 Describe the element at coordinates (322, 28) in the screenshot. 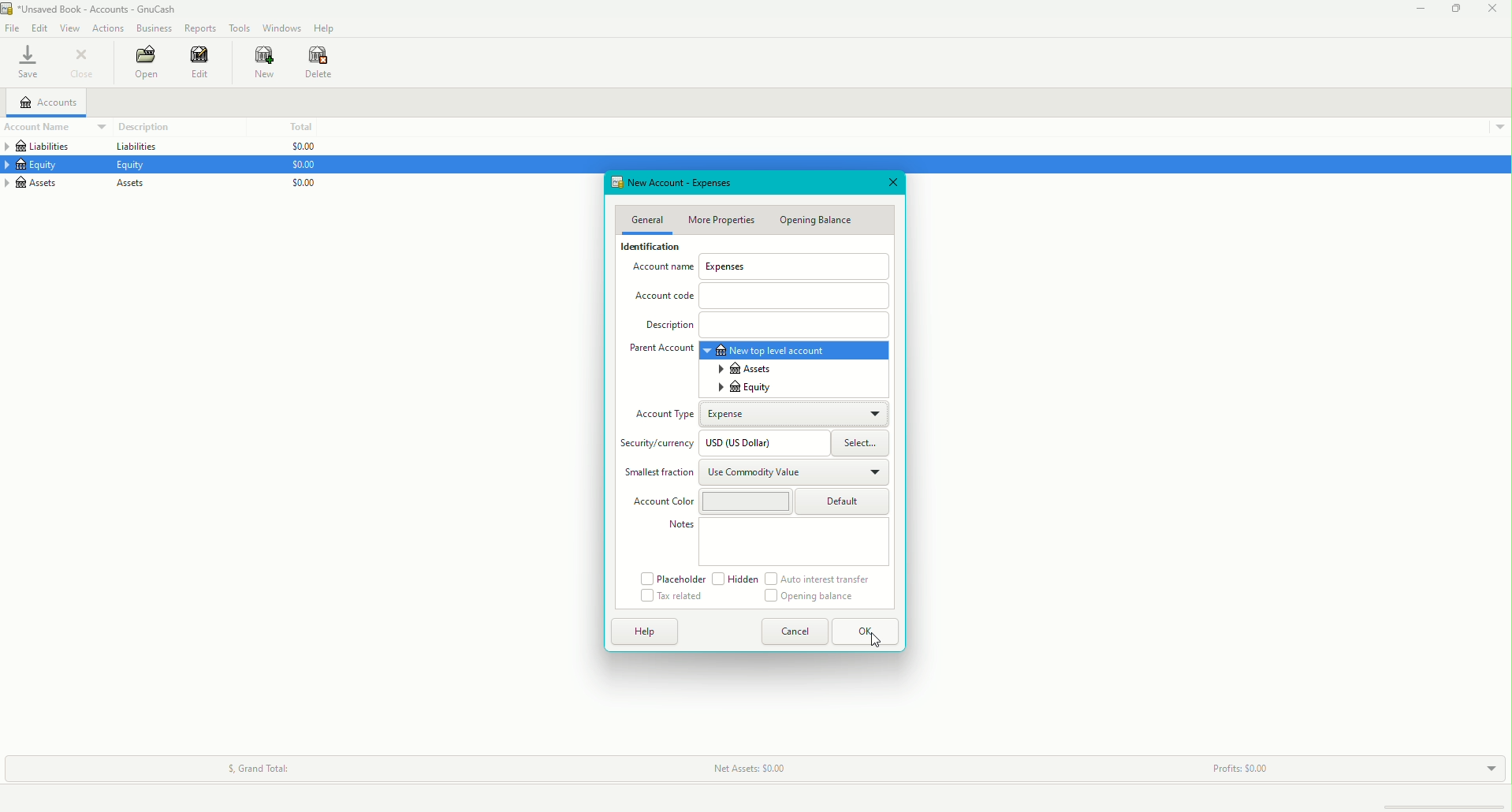

I see `Help` at that location.